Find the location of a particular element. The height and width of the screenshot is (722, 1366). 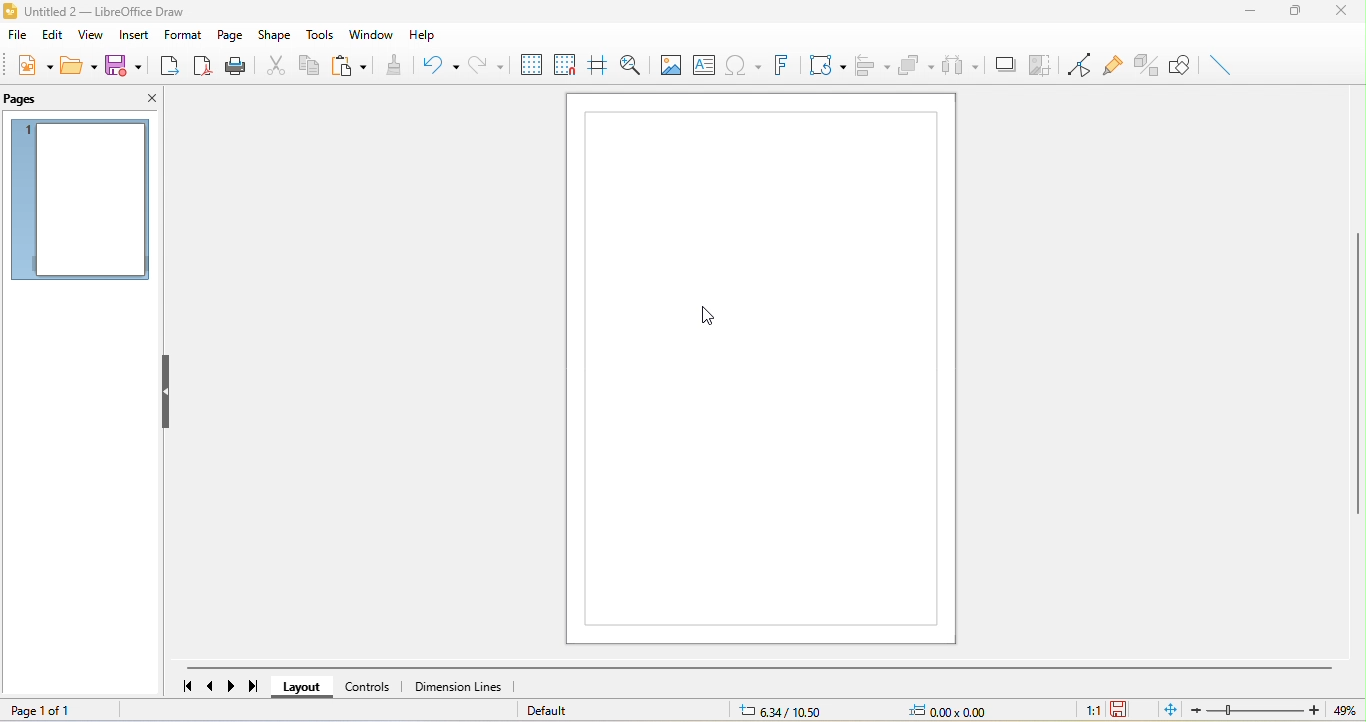

crop image is located at coordinates (1037, 61).